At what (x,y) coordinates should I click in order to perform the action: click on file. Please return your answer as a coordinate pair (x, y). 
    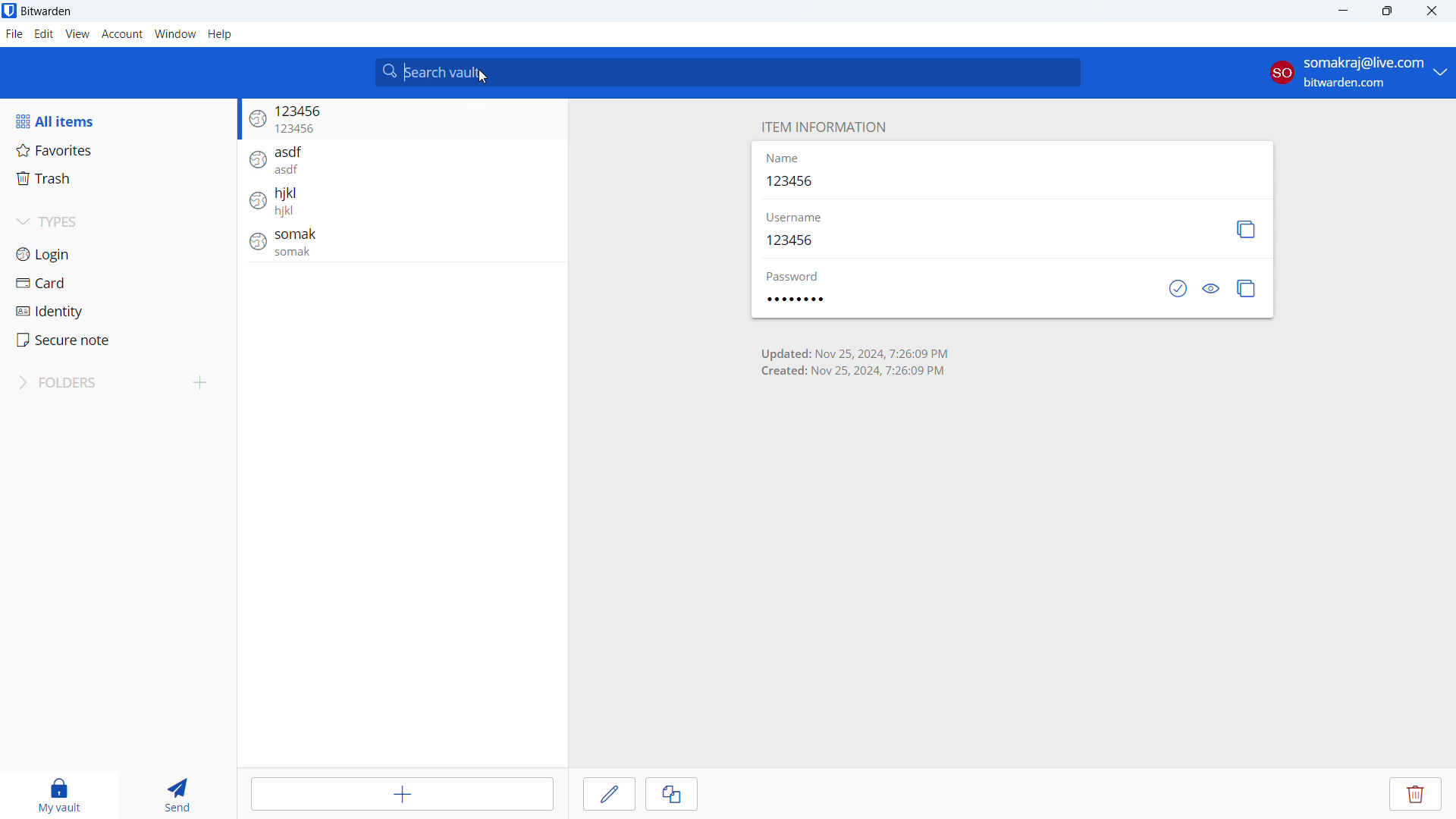
    Looking at the image, I should click on (14, 34).